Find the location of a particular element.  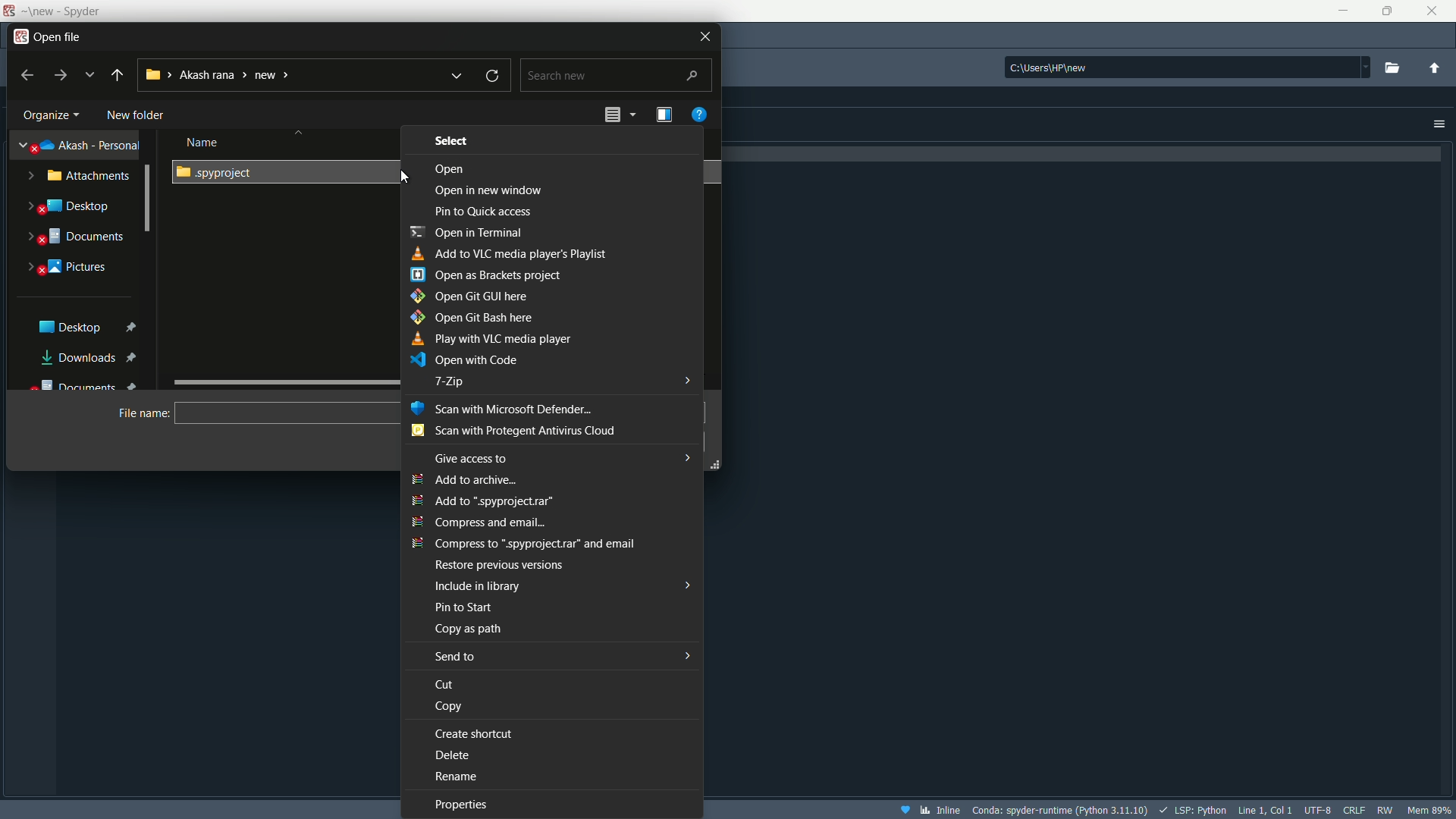

scan with Protegent antivirus cloud is located at coordinates (518, 431).